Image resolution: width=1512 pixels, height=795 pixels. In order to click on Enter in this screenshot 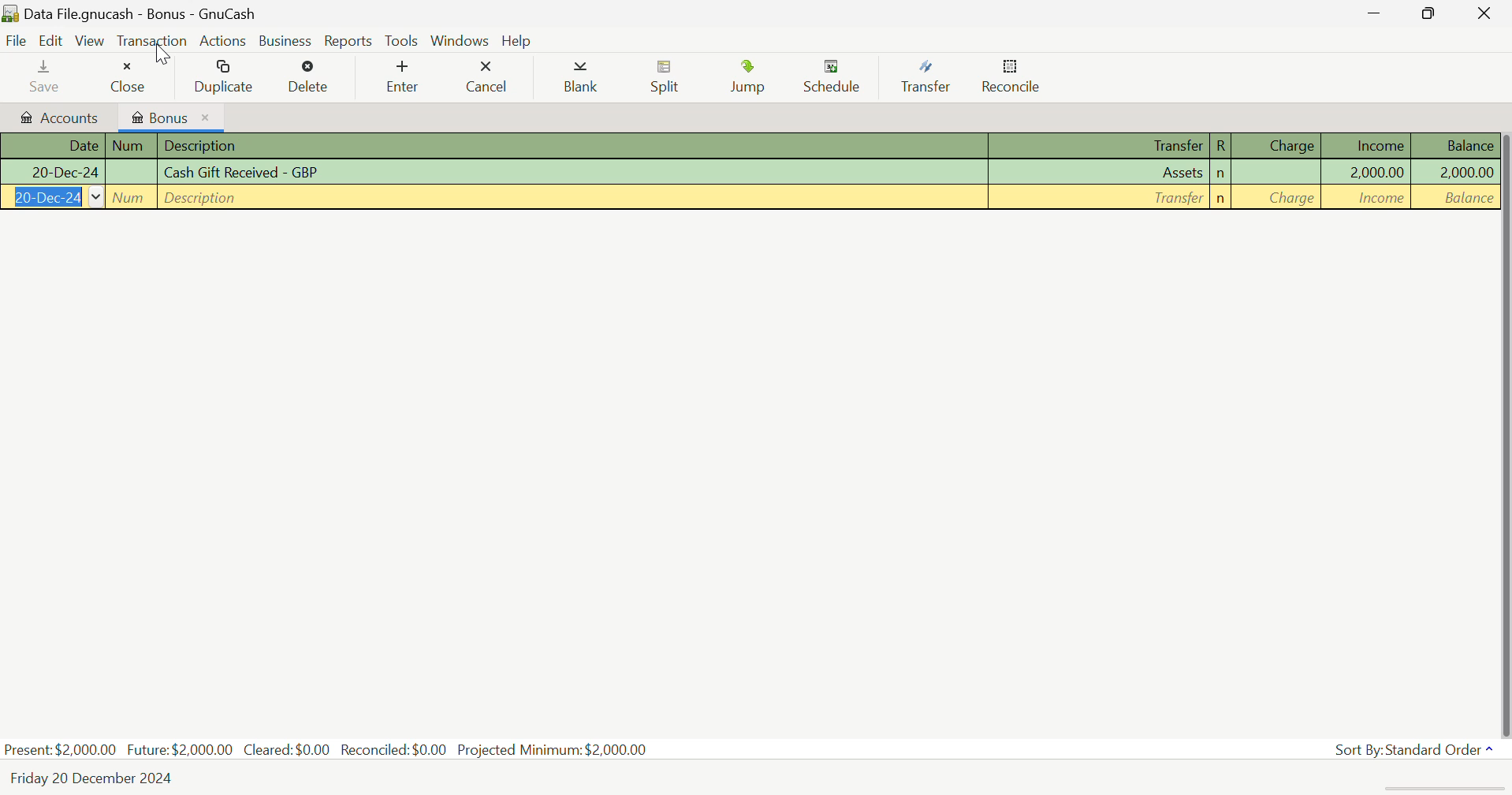, I will do `click(401, 77)`.